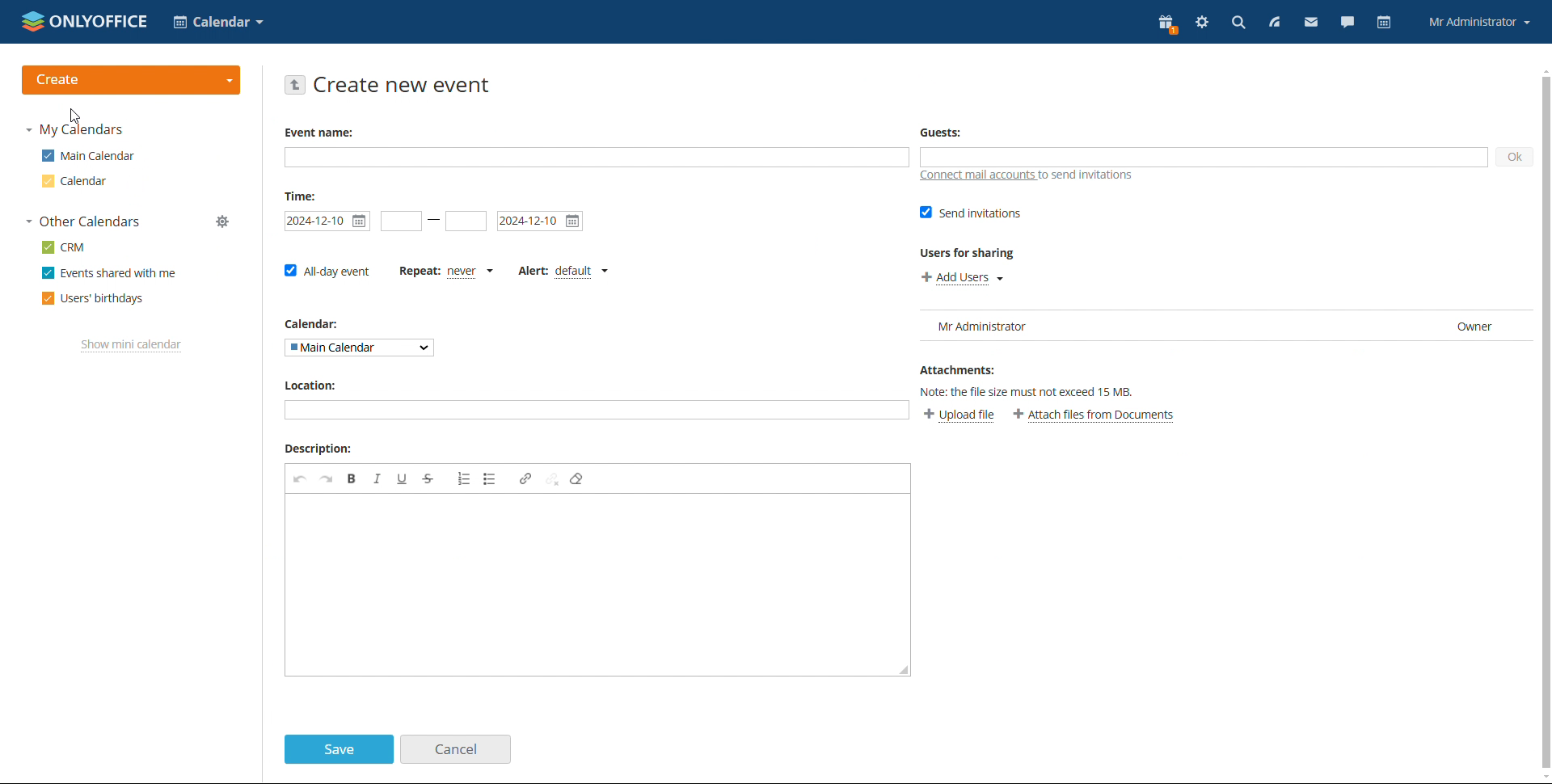  Describe the element at coordinates (326, 270) in the screenshot. I see `all-day event checkbox` at that location.